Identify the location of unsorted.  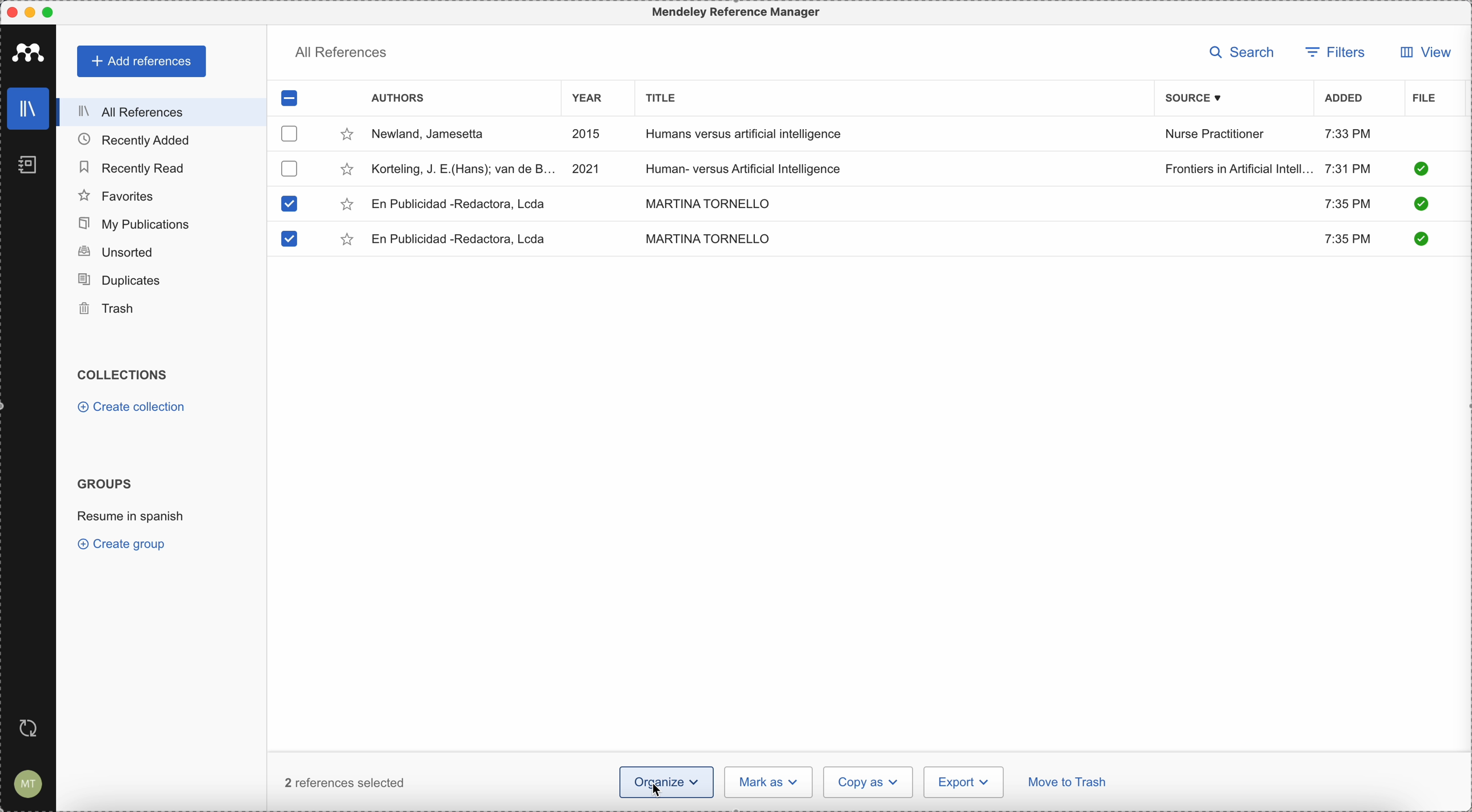
(115, 251).